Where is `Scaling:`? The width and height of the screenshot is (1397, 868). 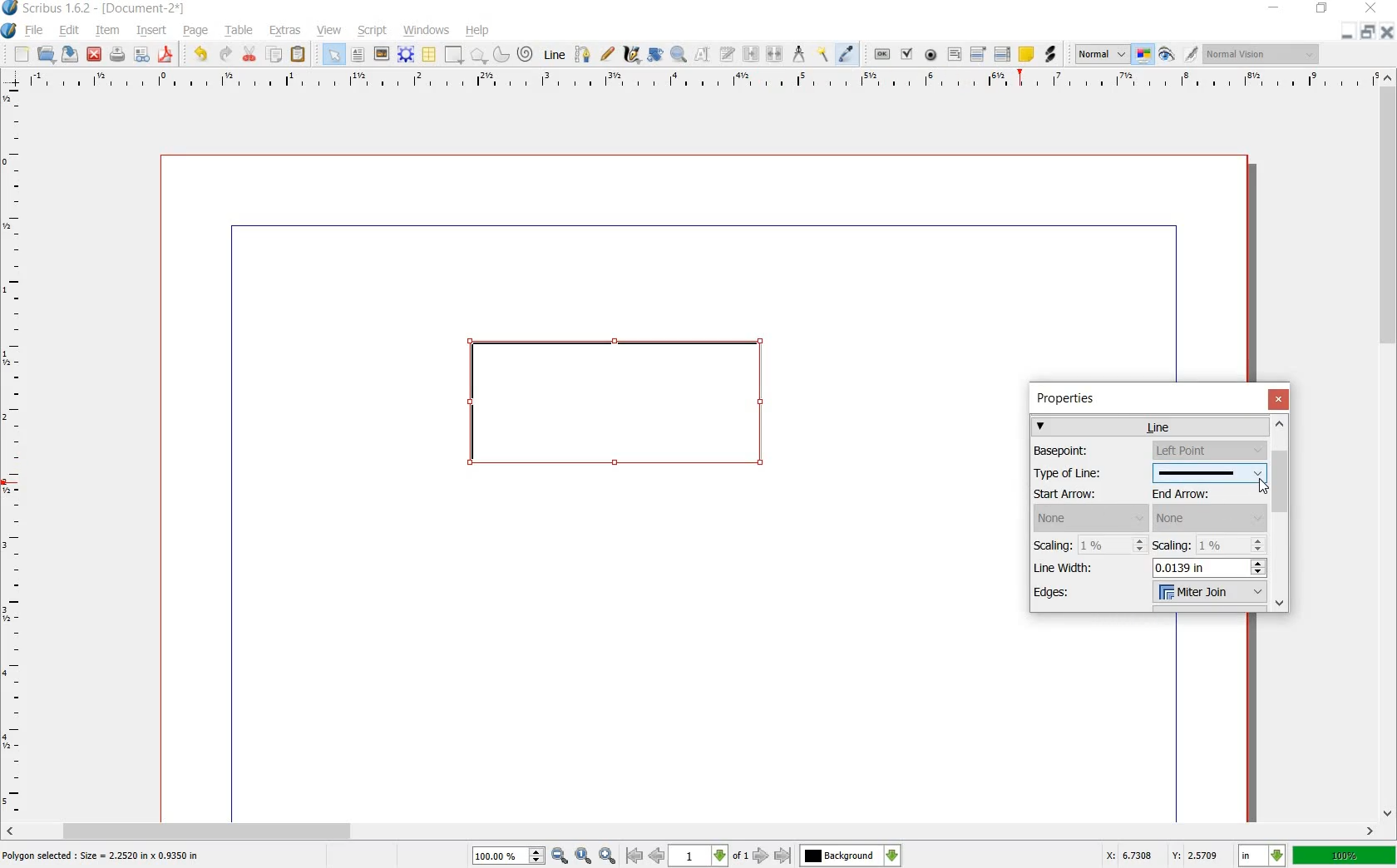 Scaling: is located at coordinates (1172, 545).